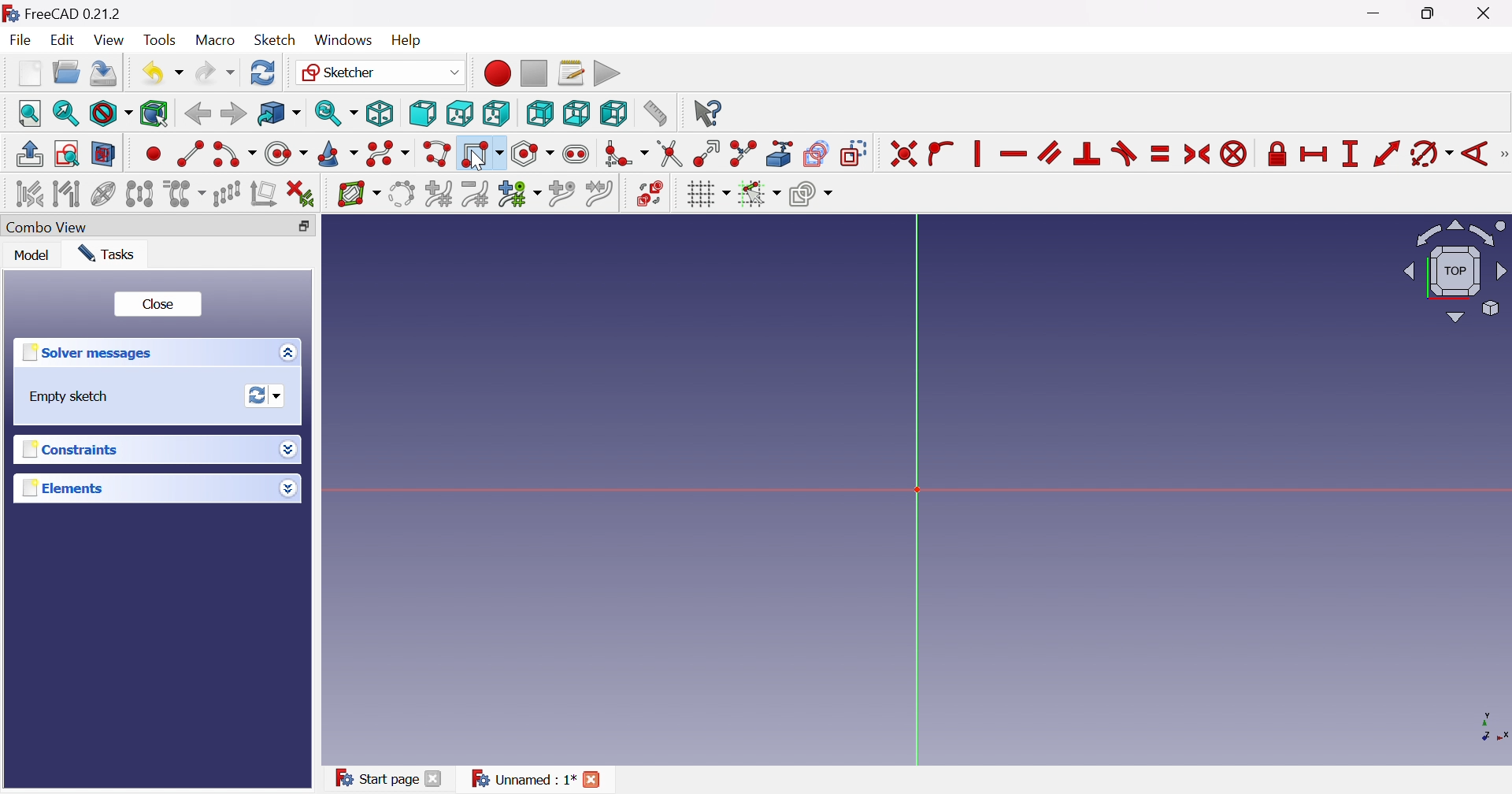  I want to click on Cursor, so click(479, 164).